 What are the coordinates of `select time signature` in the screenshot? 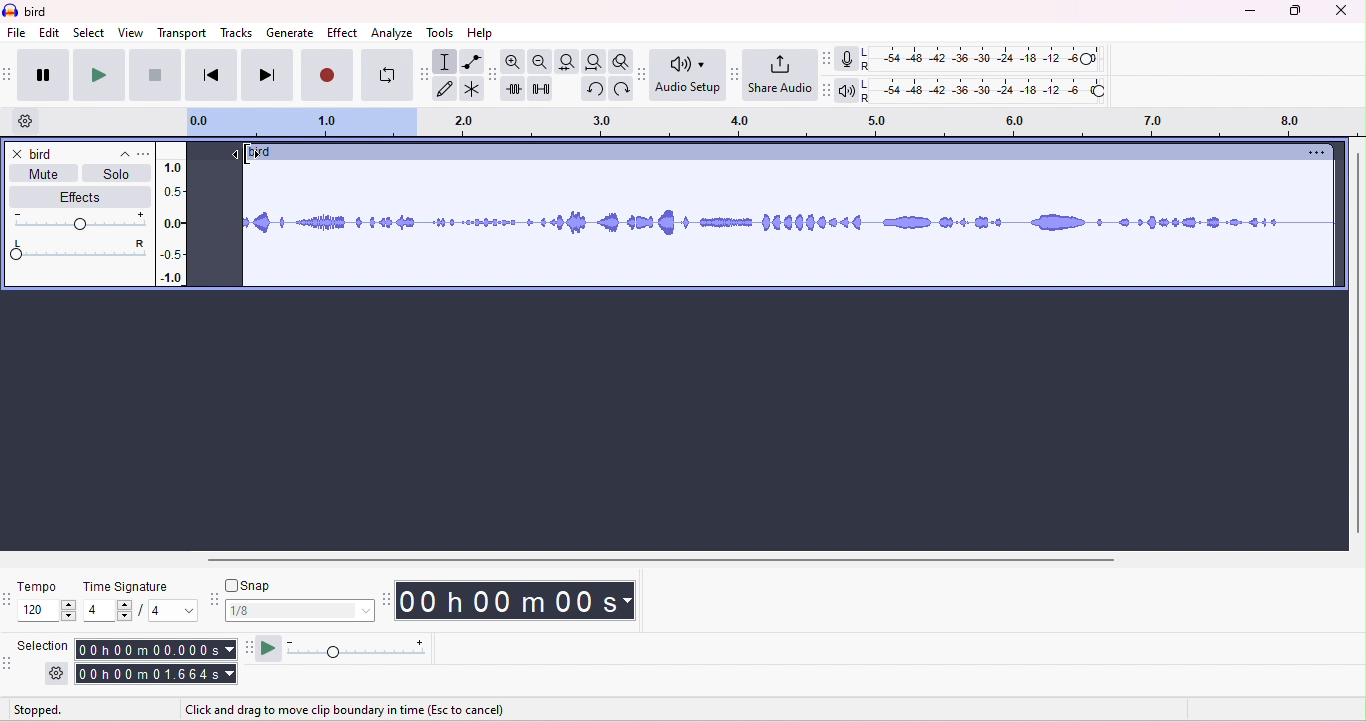 It's located at (139, 612).